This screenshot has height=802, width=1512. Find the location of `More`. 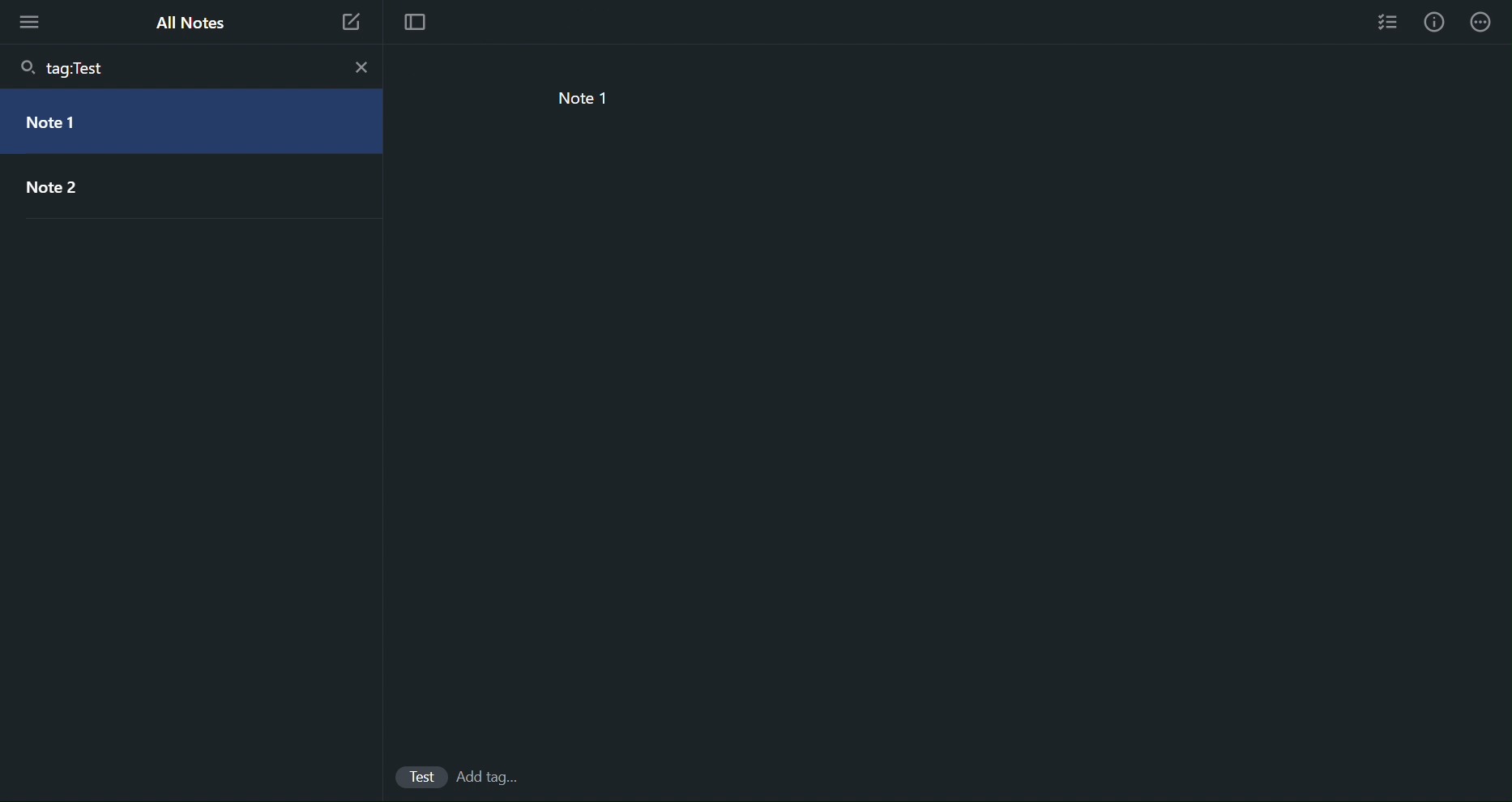

More is located at coordinates (30, 22).